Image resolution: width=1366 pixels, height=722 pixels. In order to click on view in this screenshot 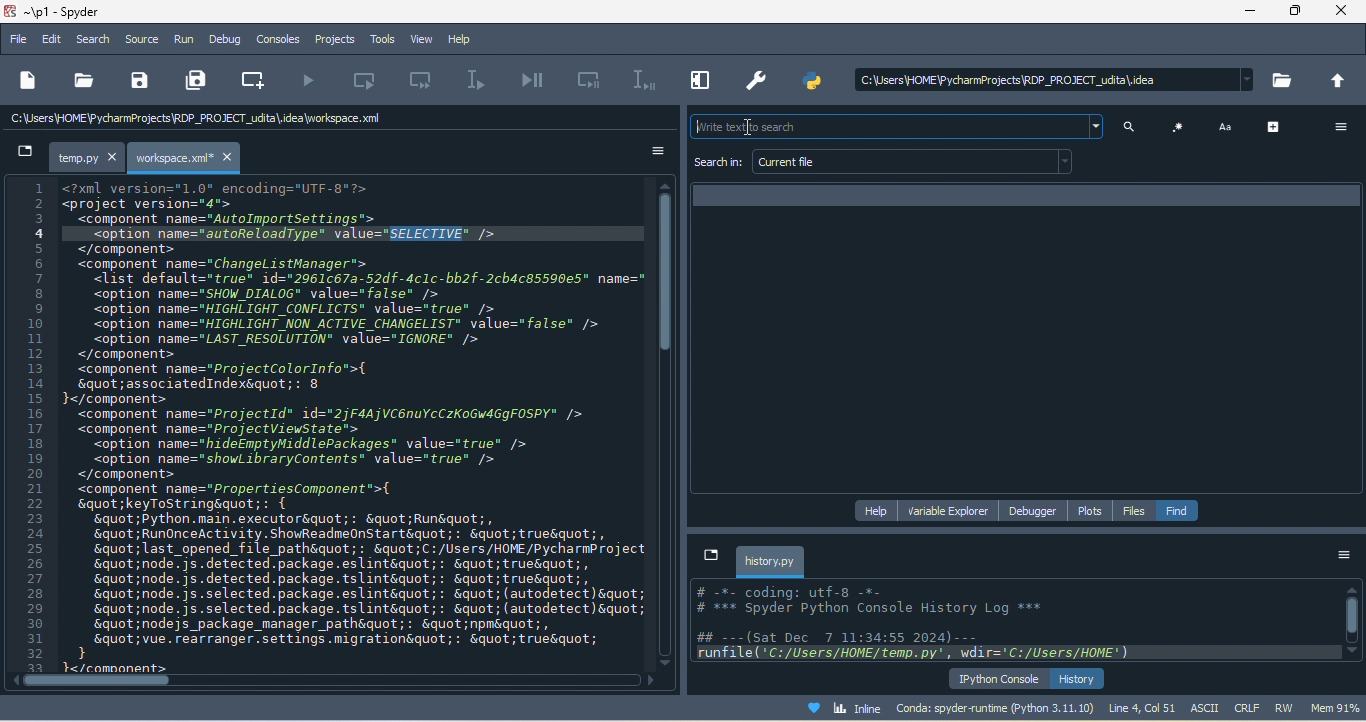, I will do `click(419, 40)`.